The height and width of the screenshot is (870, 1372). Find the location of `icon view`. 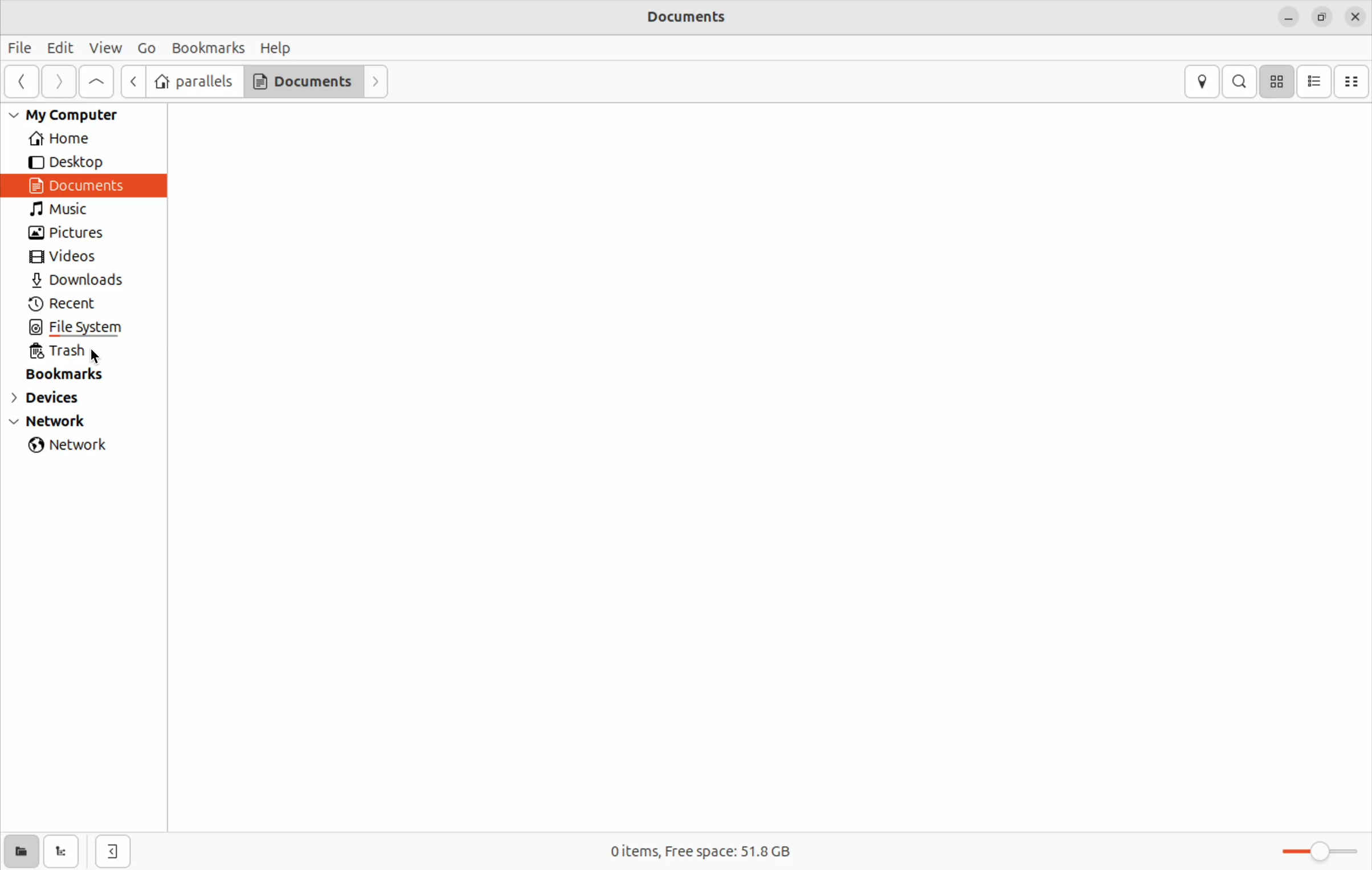

icon view is located at coordinates (1276, 81).